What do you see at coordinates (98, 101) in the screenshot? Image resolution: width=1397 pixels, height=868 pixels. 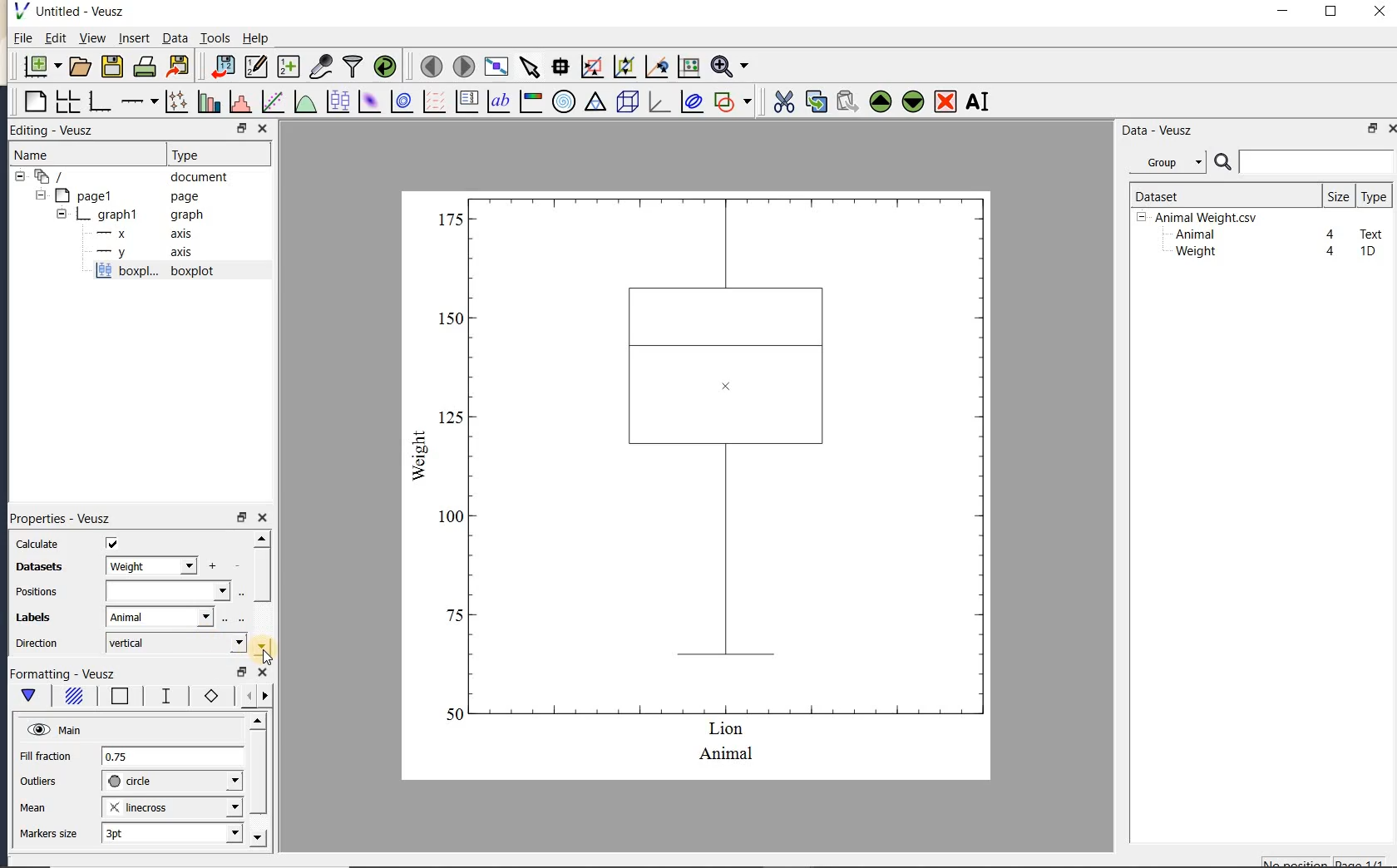 I see `base graph` at bounding box center [98, 101].